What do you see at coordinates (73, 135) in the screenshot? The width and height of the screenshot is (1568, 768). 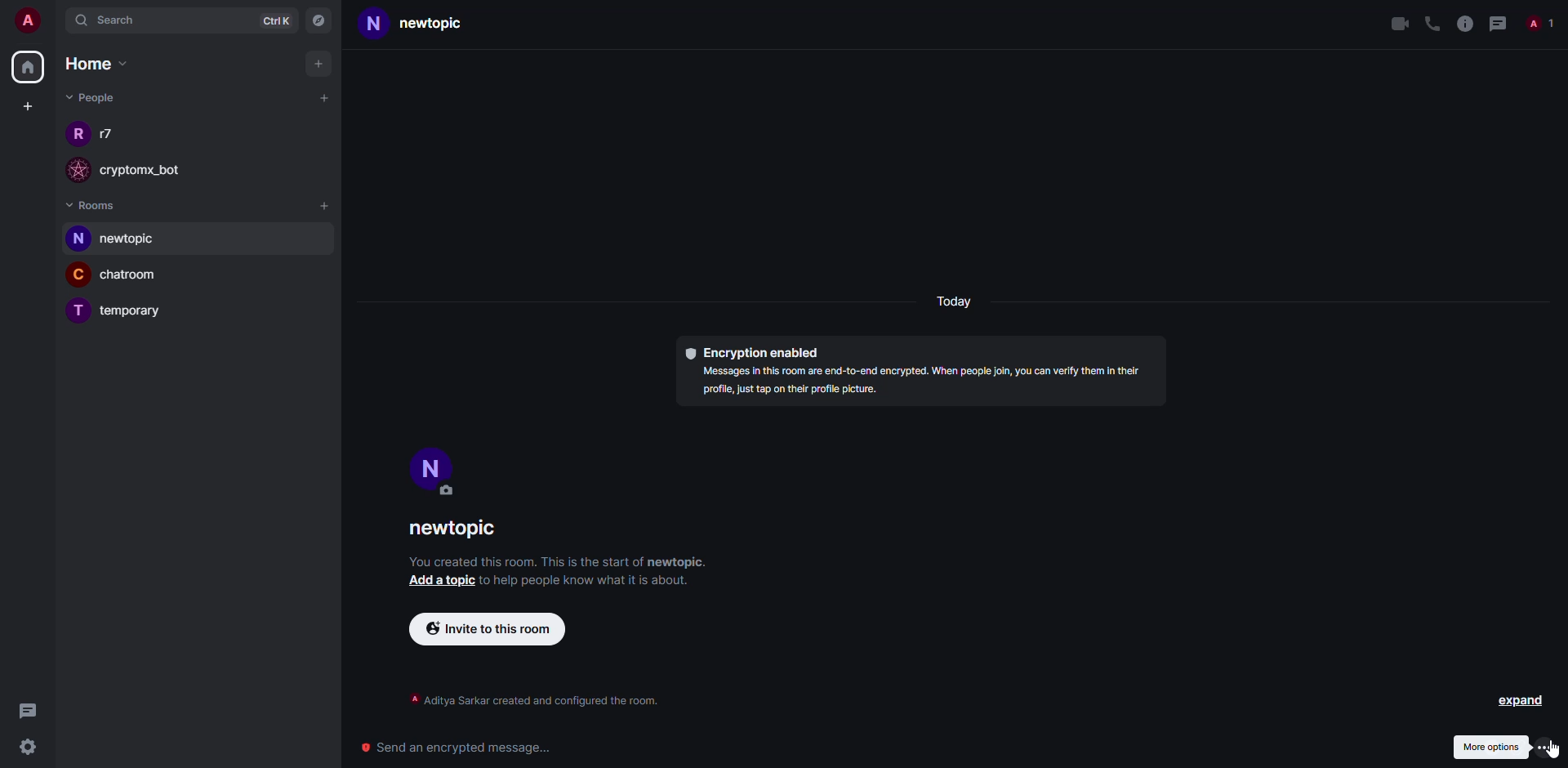 I see `R` at bounding box center [73, 135].